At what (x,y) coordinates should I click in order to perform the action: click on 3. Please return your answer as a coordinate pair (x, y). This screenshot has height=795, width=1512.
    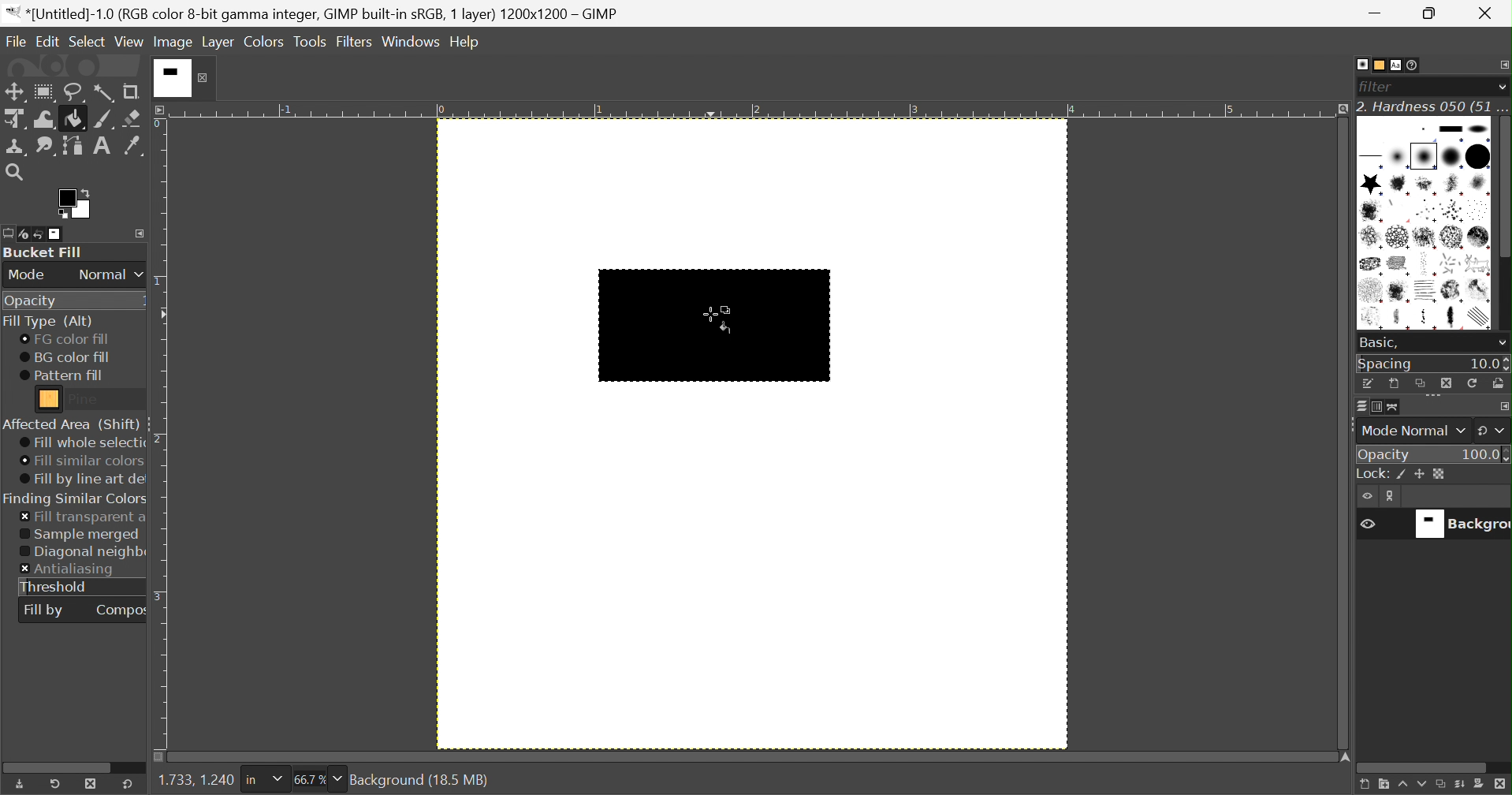
    Looking at the image, I should click on (161, 595).